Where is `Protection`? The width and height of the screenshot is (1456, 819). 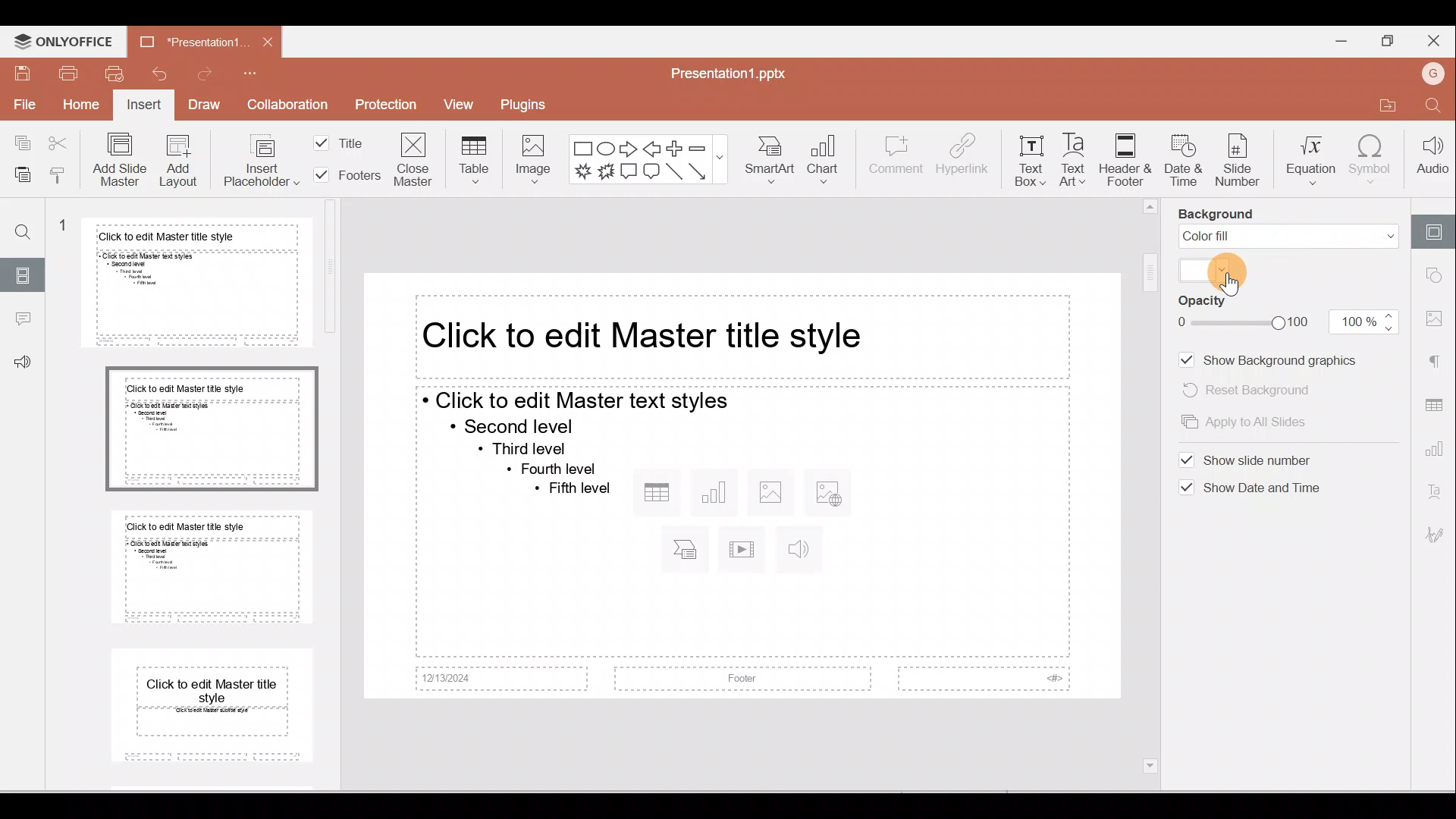 Protection is located at coordinates (387, 106).